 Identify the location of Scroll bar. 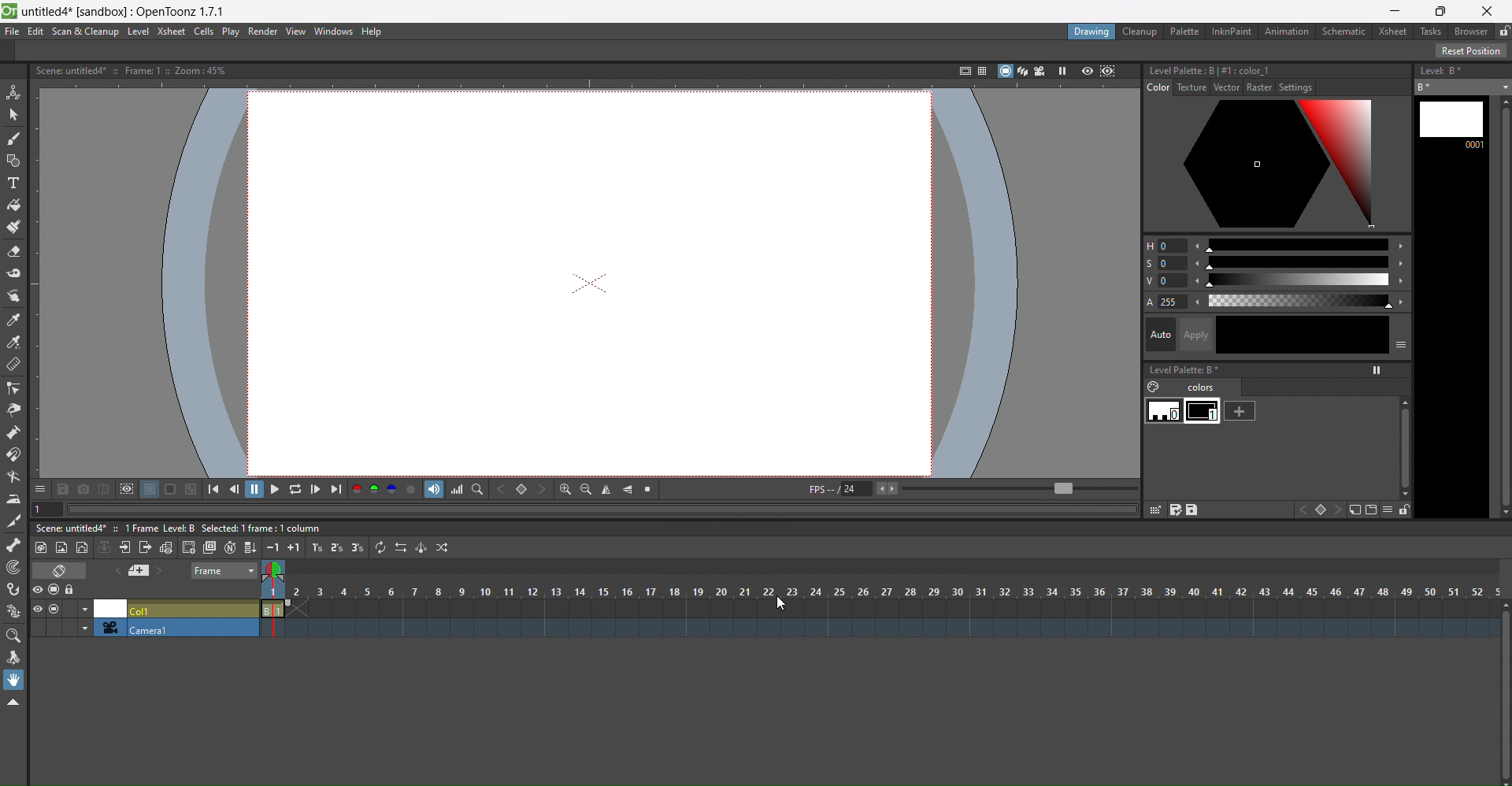
(1503, 693).